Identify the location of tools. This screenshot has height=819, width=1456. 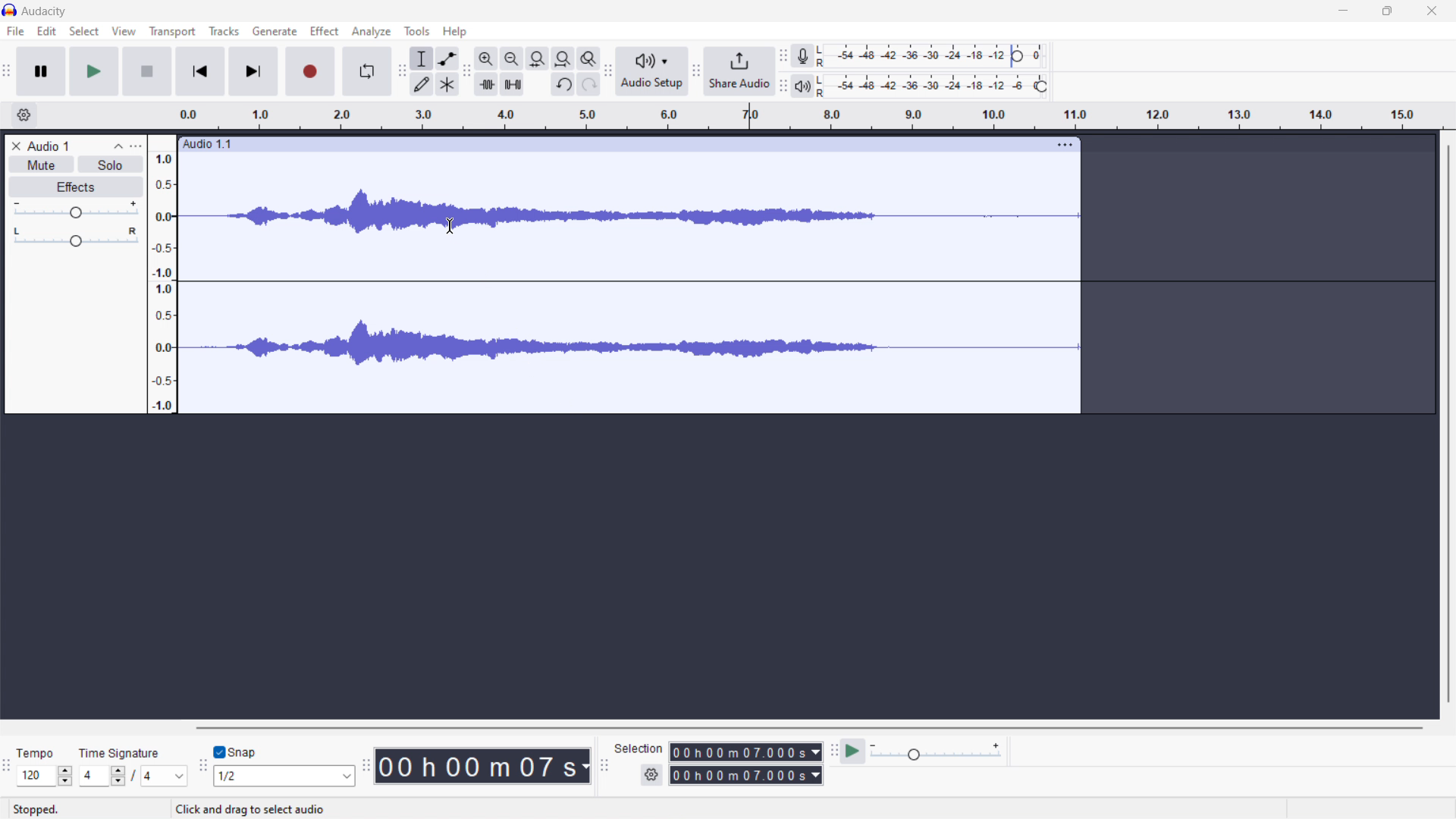
(418, 31).